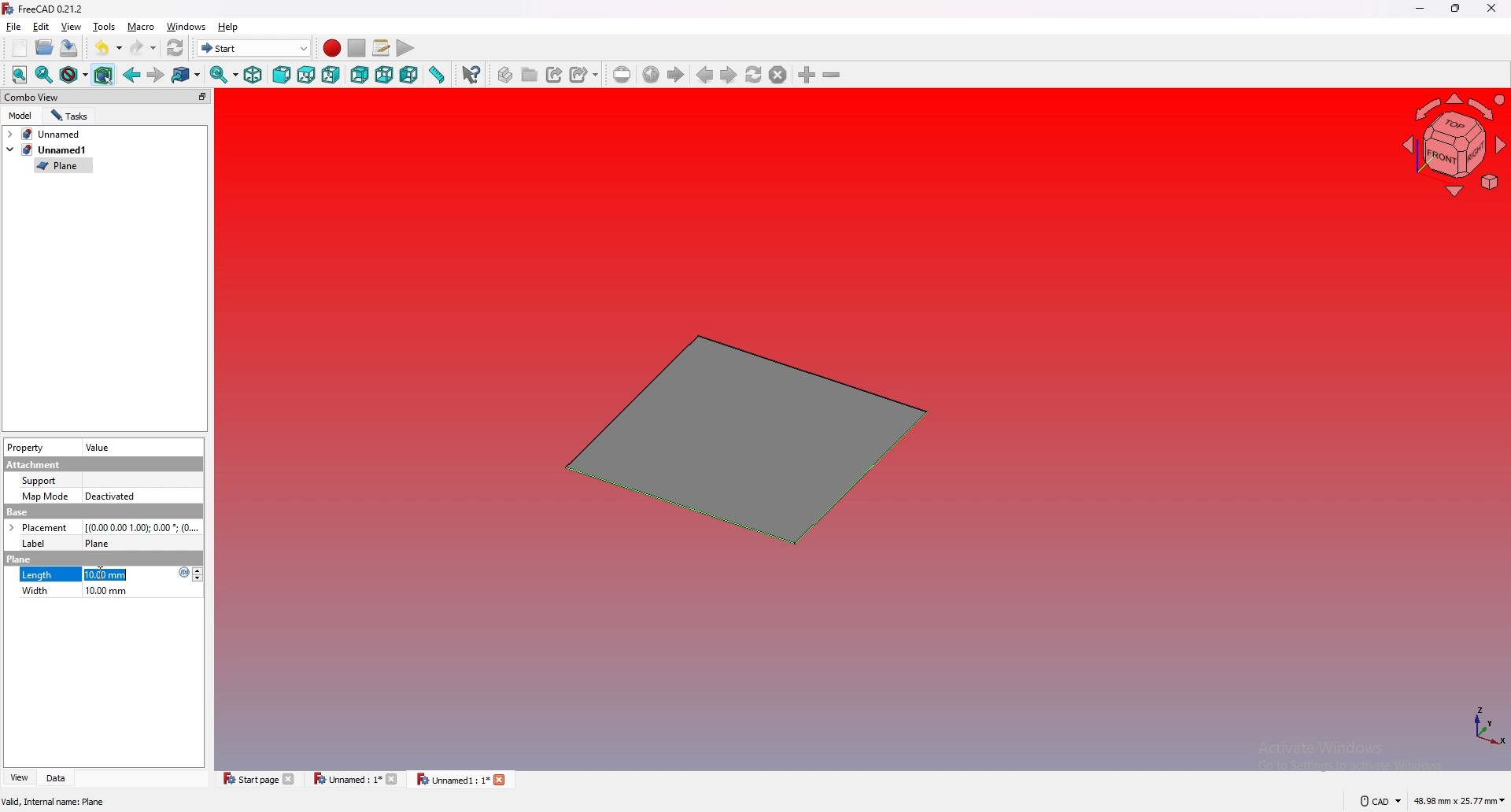  Describe the element at coordinates (808, 75) in the screenshot. I see `zoom in` at that location.